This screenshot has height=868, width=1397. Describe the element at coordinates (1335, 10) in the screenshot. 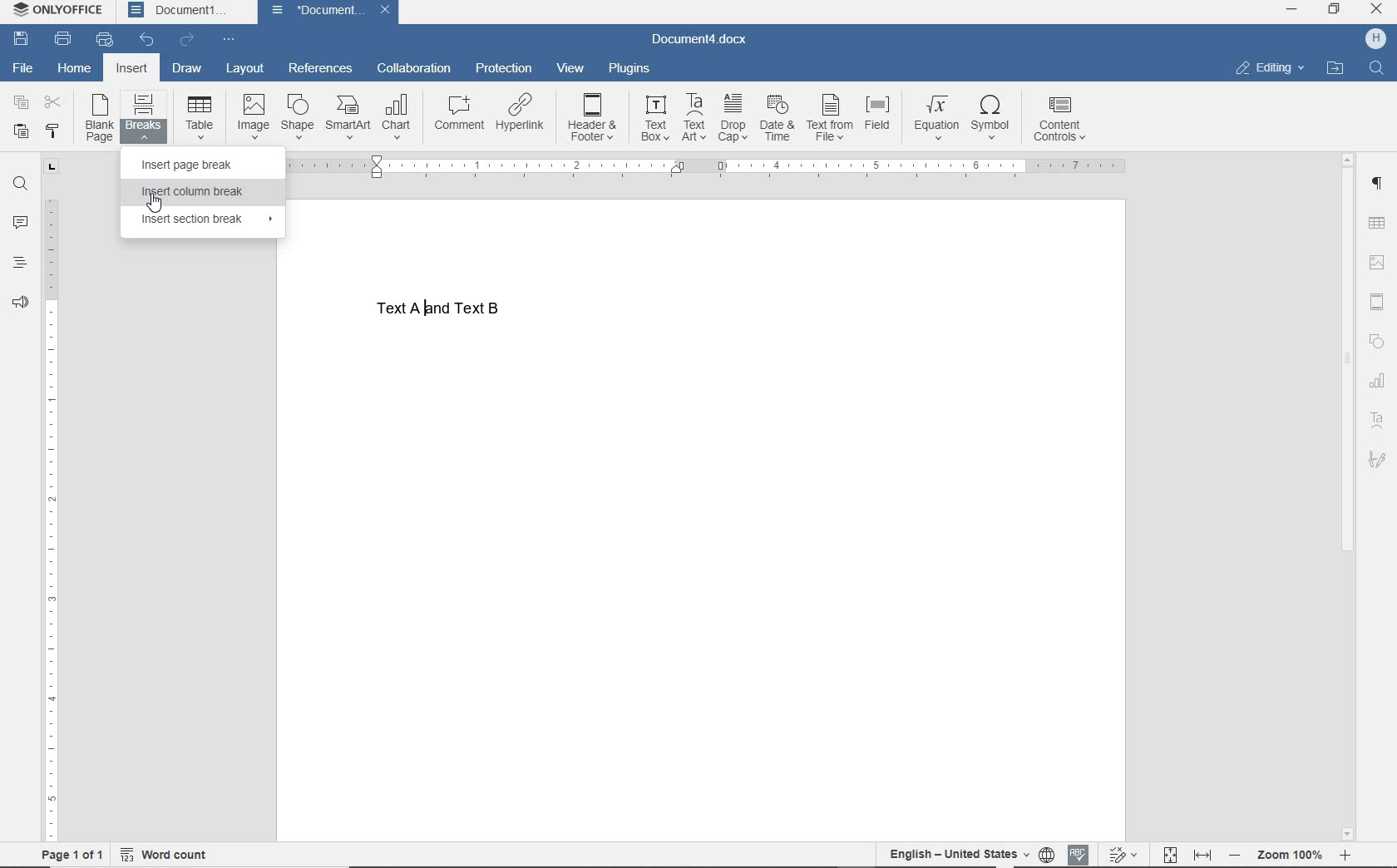

I see `restore down` at that location.